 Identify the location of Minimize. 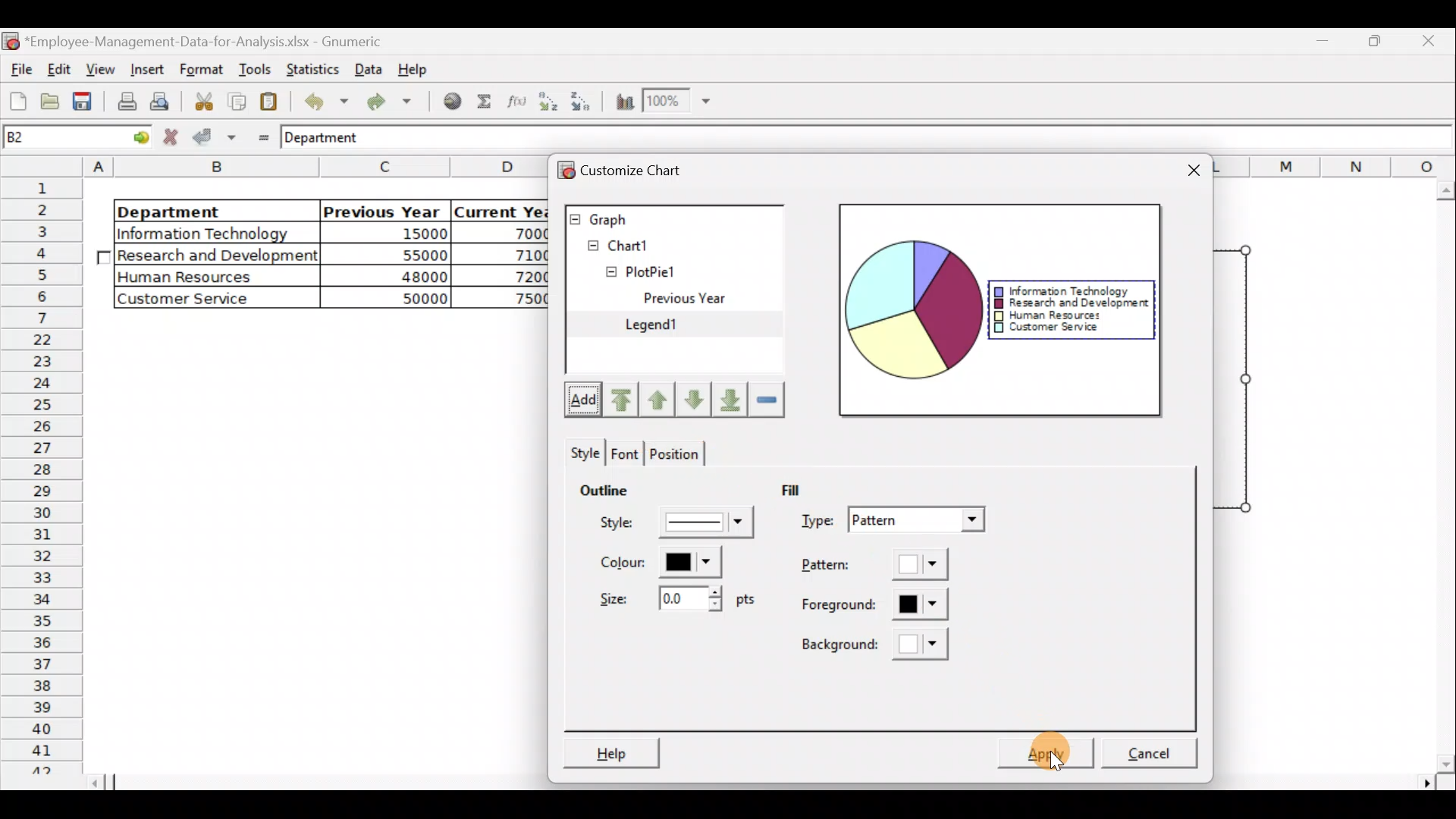
(1376, 46).